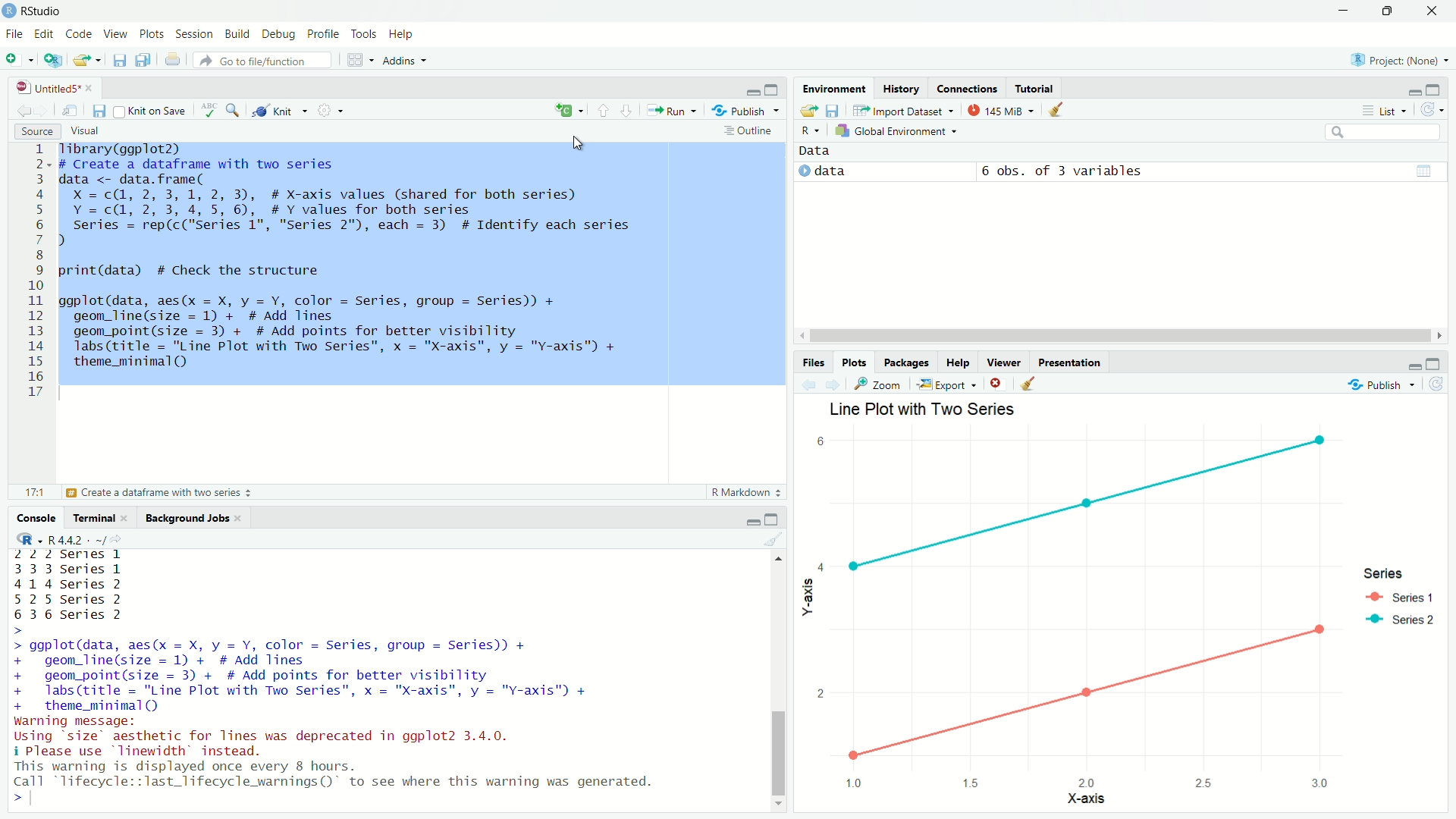 The height and width of the screenshot is (819, 1456). Describe the element at coordinates (264, 60) in the screenshot. I see `Go to file function` at that location.